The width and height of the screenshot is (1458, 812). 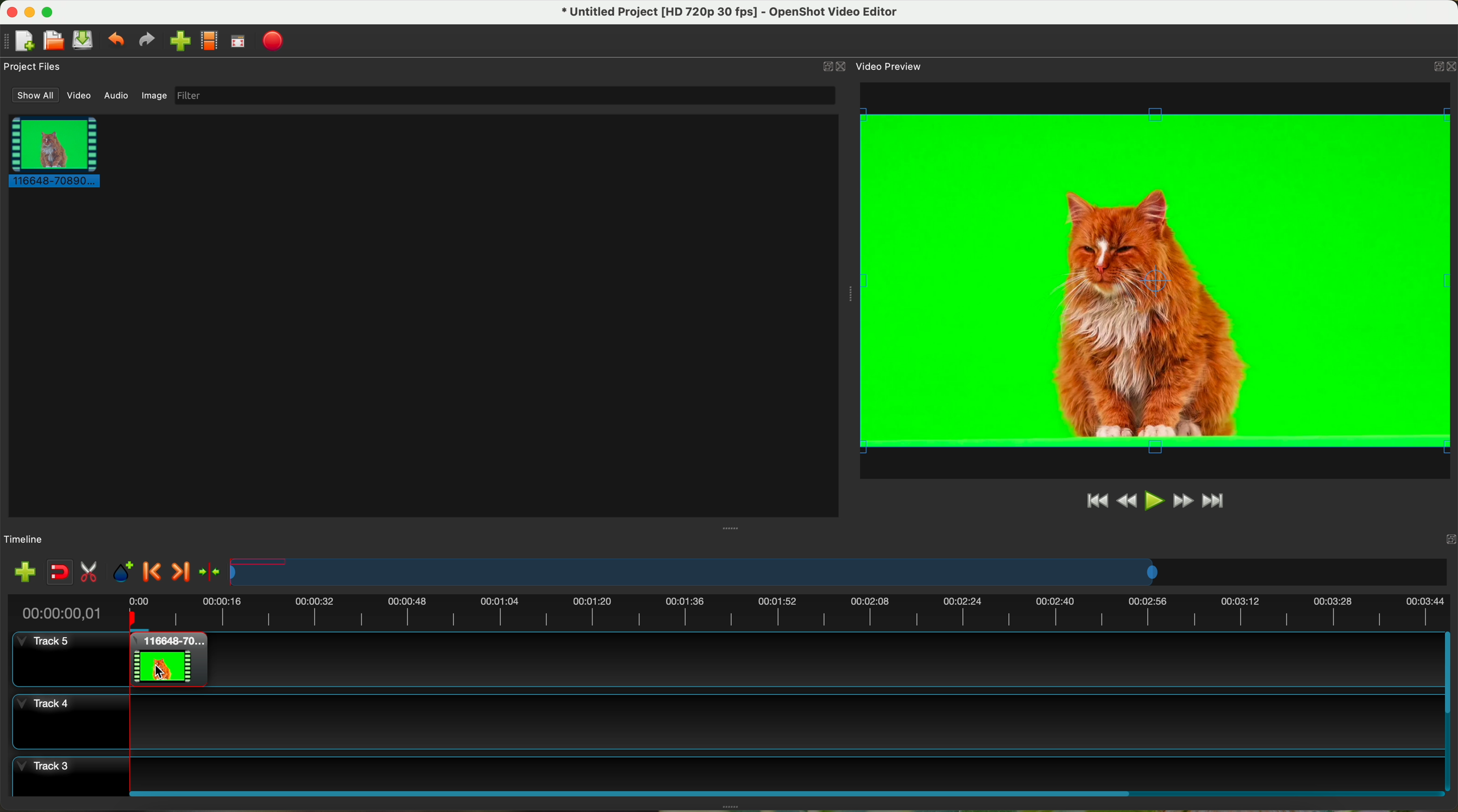 I want to click on play, so click(x=1153, y=500).